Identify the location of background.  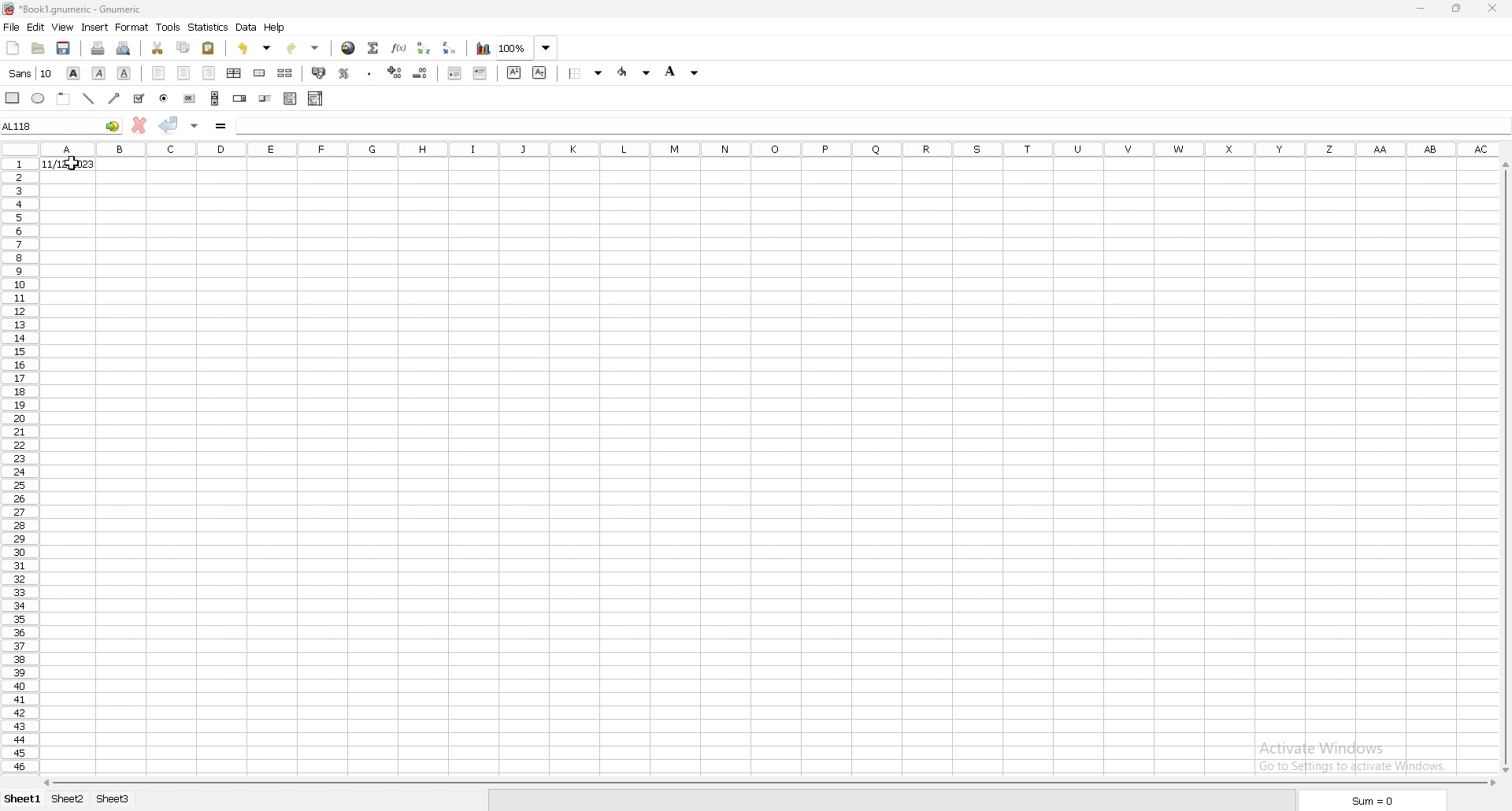
(681, 72).